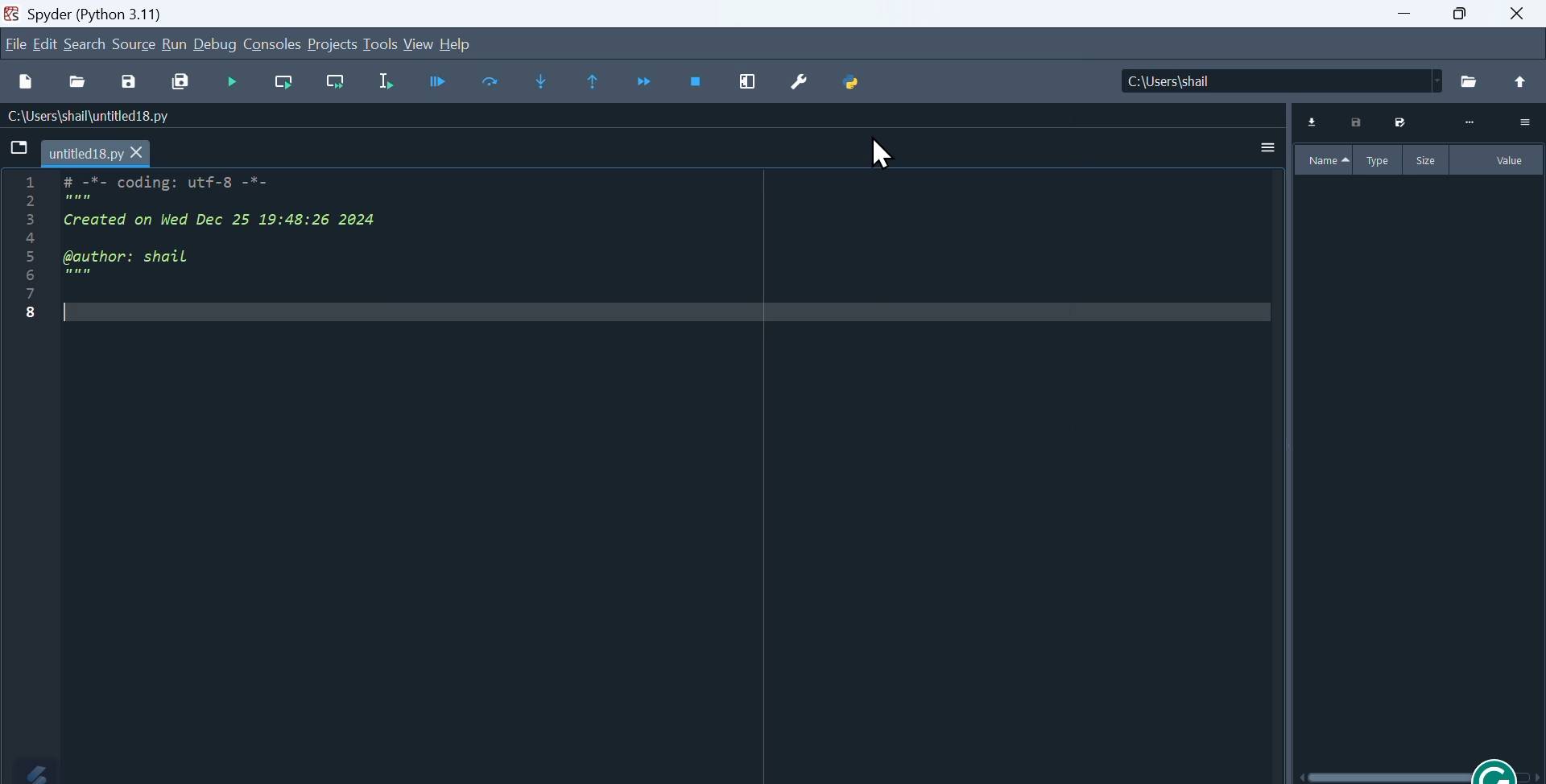  I want to click on line numbers, so click(27, 249).